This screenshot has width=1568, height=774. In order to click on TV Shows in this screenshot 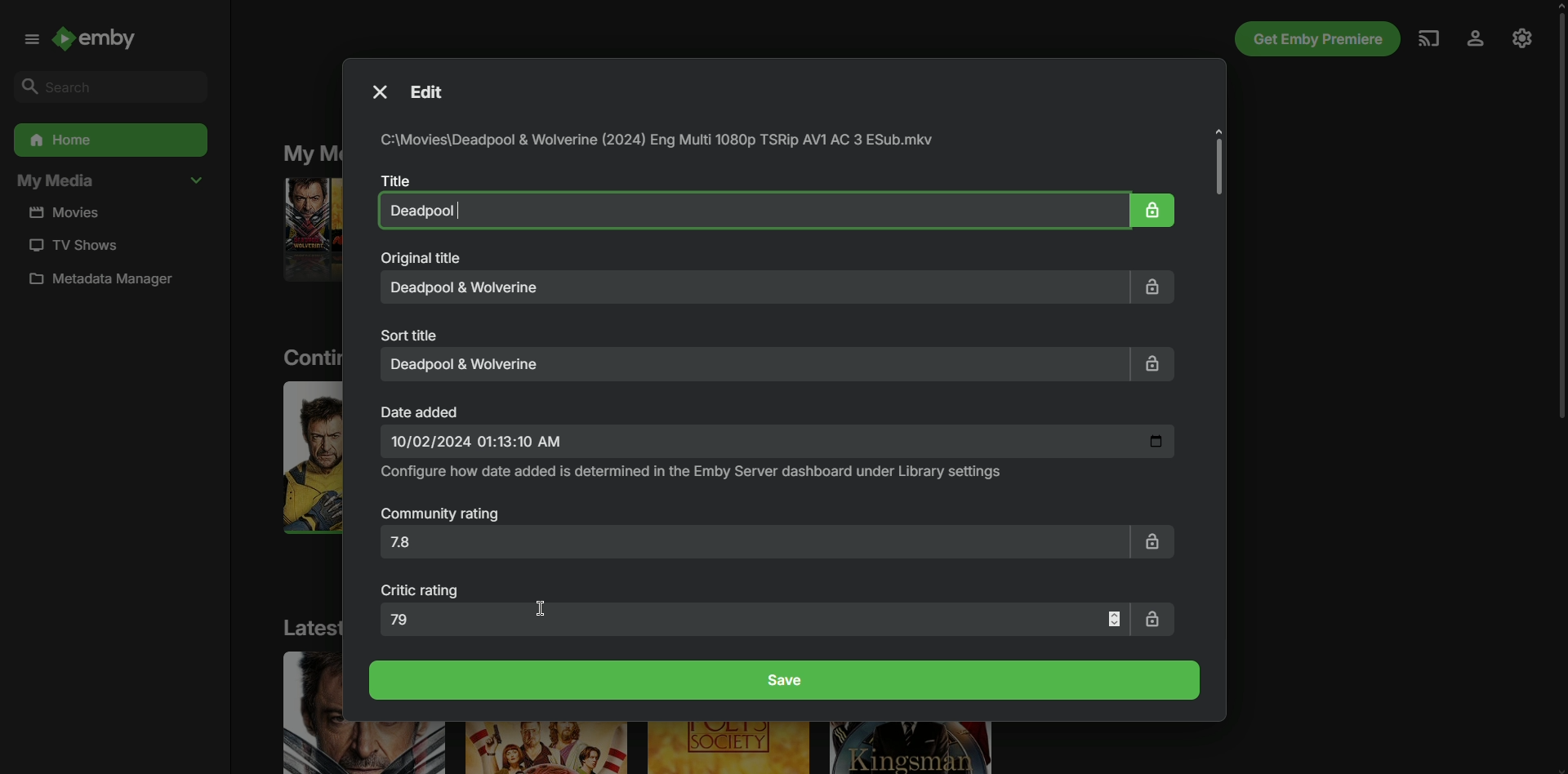, I will do `click(71, 245)`.